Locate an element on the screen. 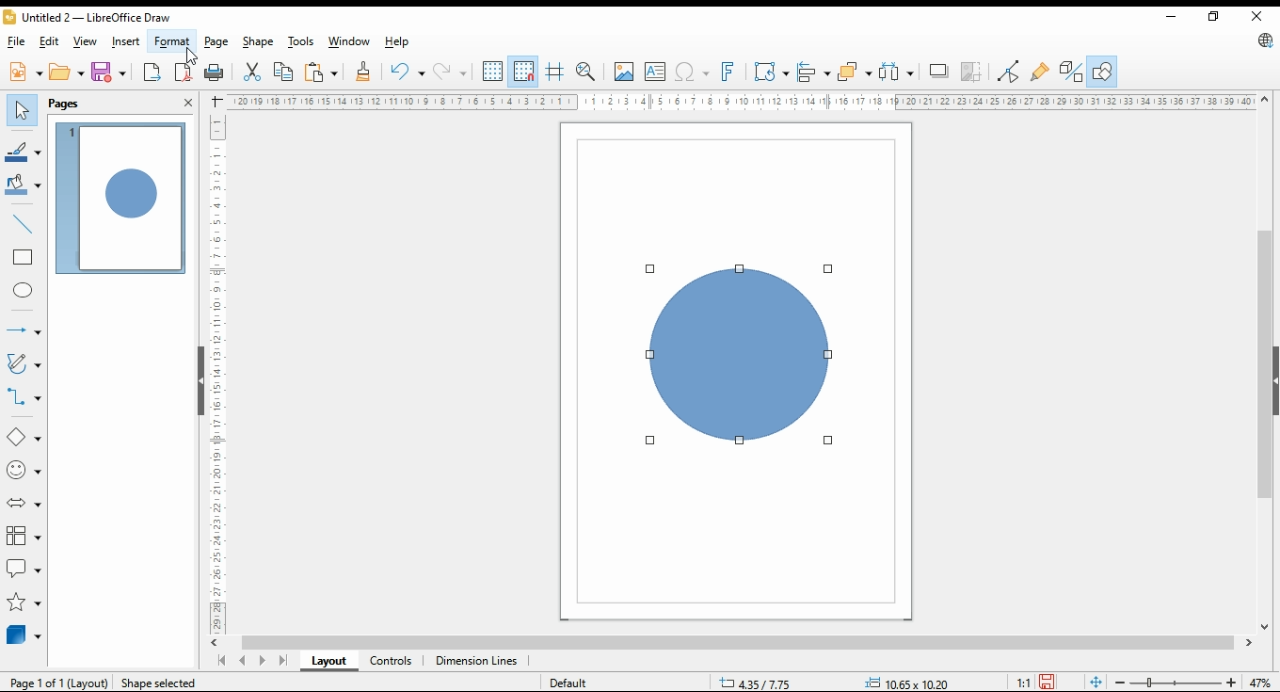 The height and width of the screenshot is (692, 1280). previous page is located at coordinates (243, 660).